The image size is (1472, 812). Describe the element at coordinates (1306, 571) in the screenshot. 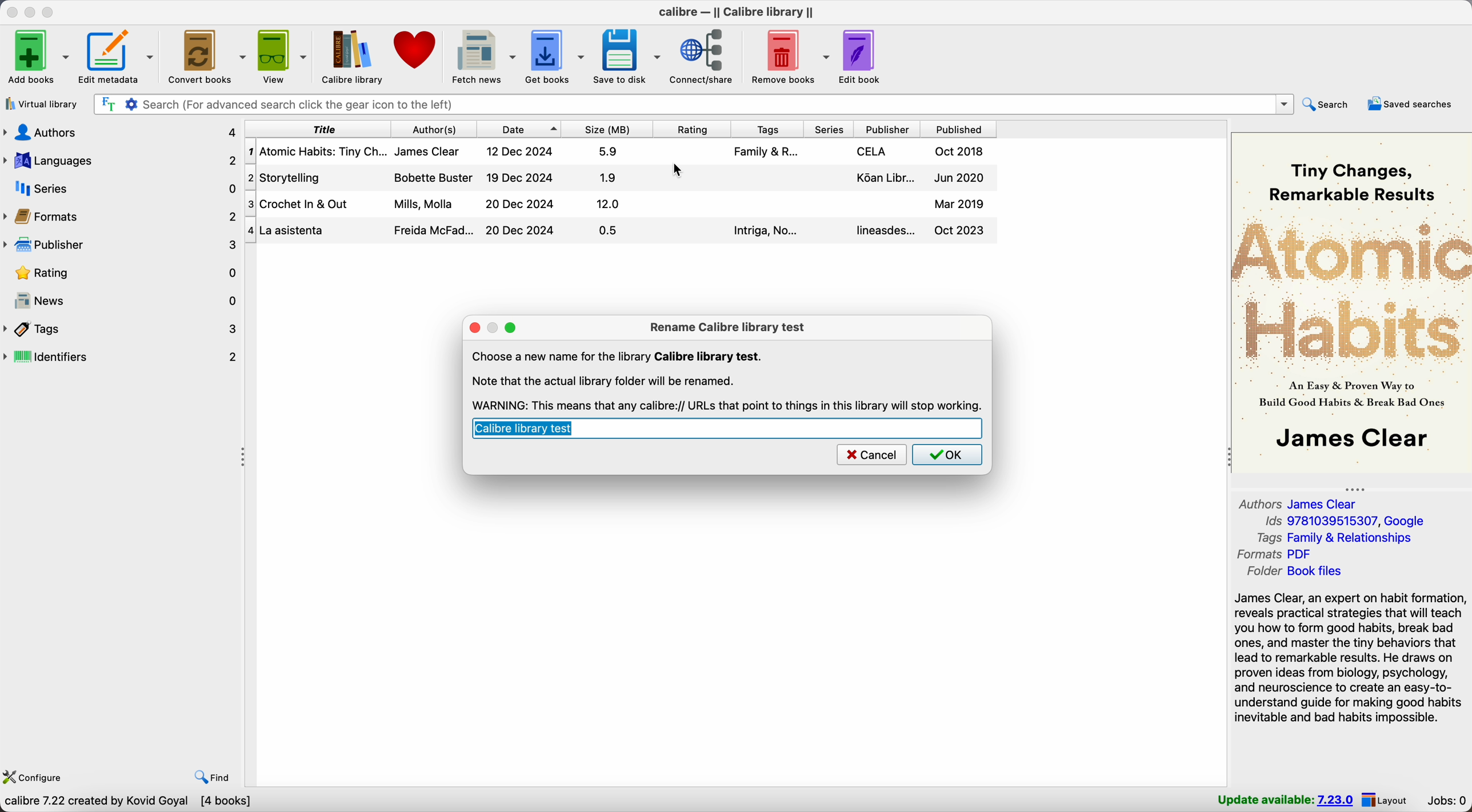

I see `folder Book files` at that location.